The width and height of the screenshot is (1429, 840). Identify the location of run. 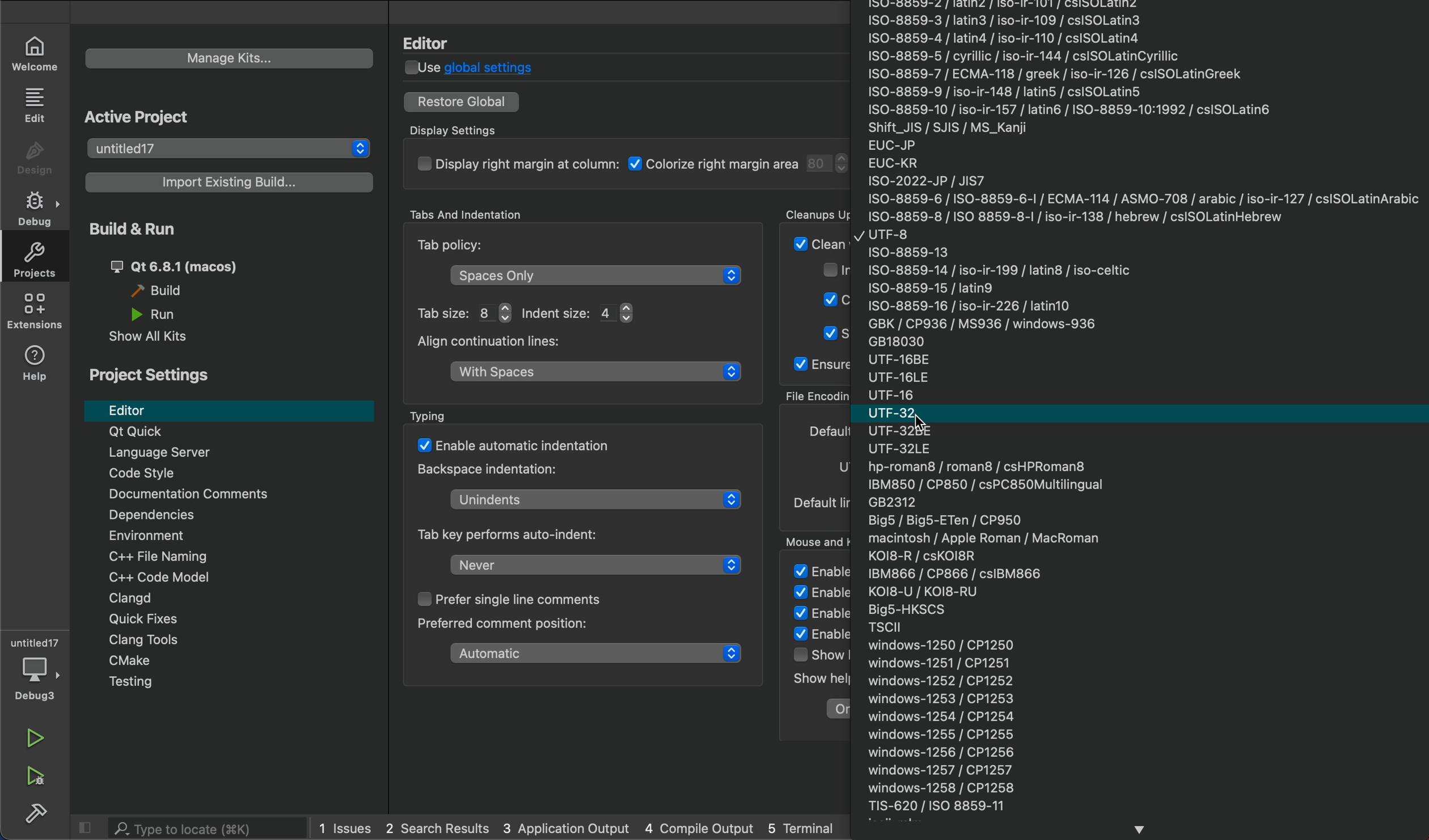
(38, 739).